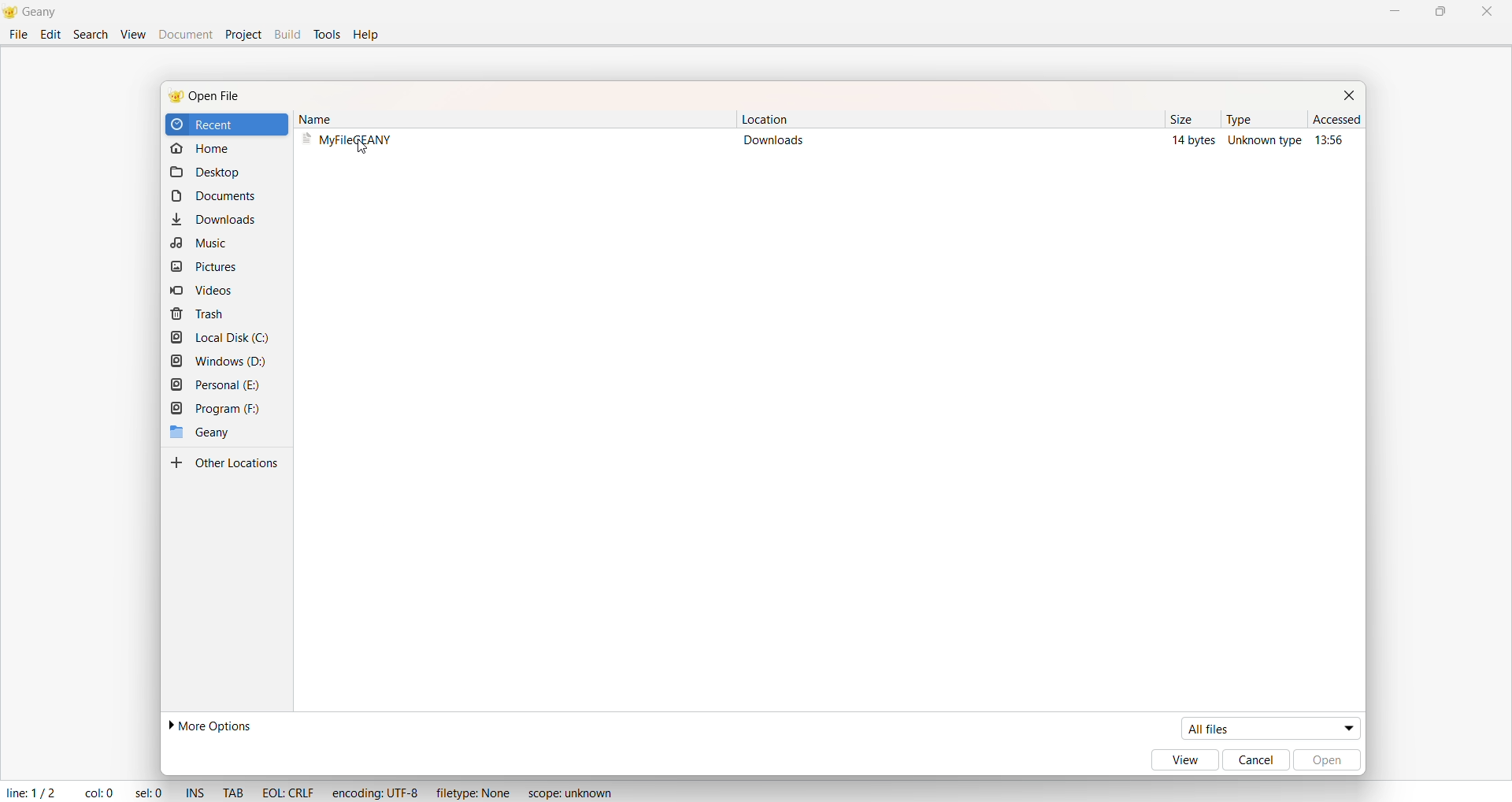 The image size is (1512, 802). I want to click on document, so click(223, 197).